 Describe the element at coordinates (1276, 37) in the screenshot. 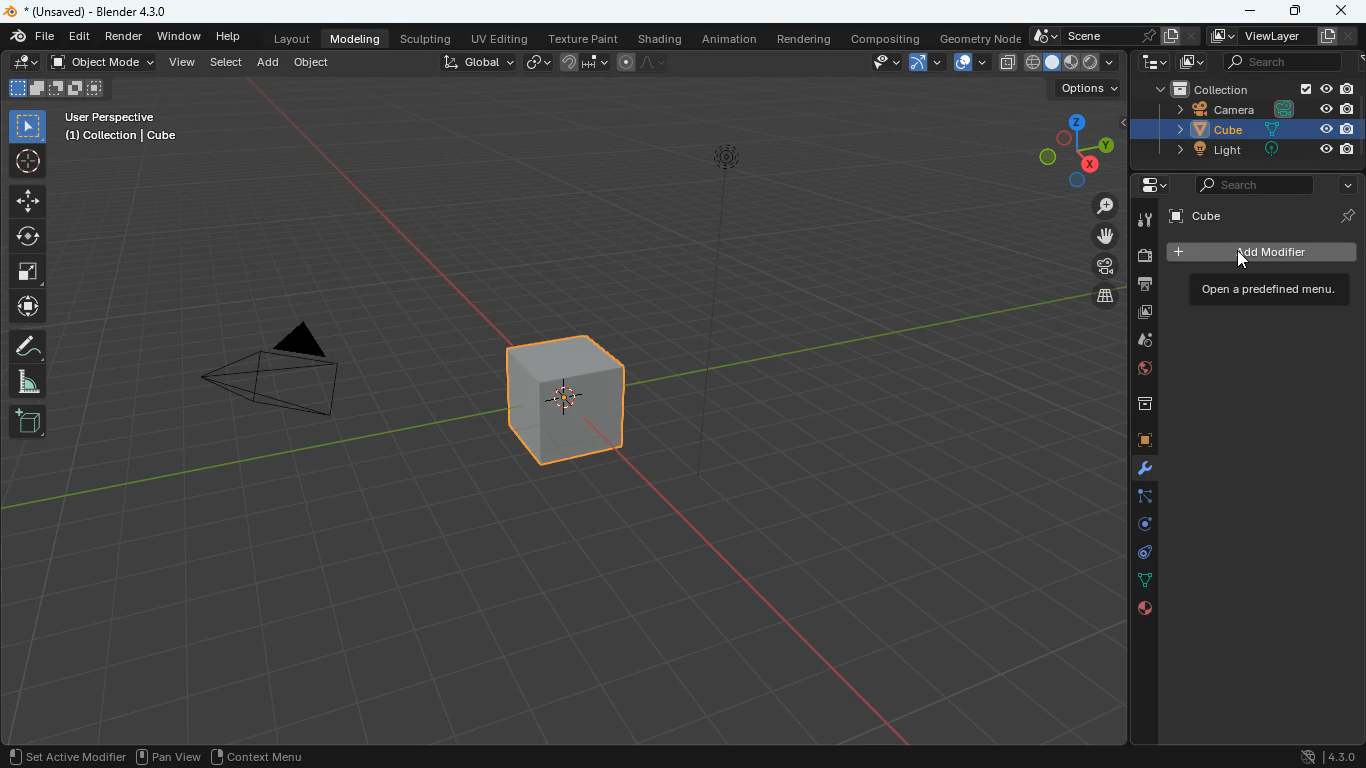

I see `viewlayer` at that location.